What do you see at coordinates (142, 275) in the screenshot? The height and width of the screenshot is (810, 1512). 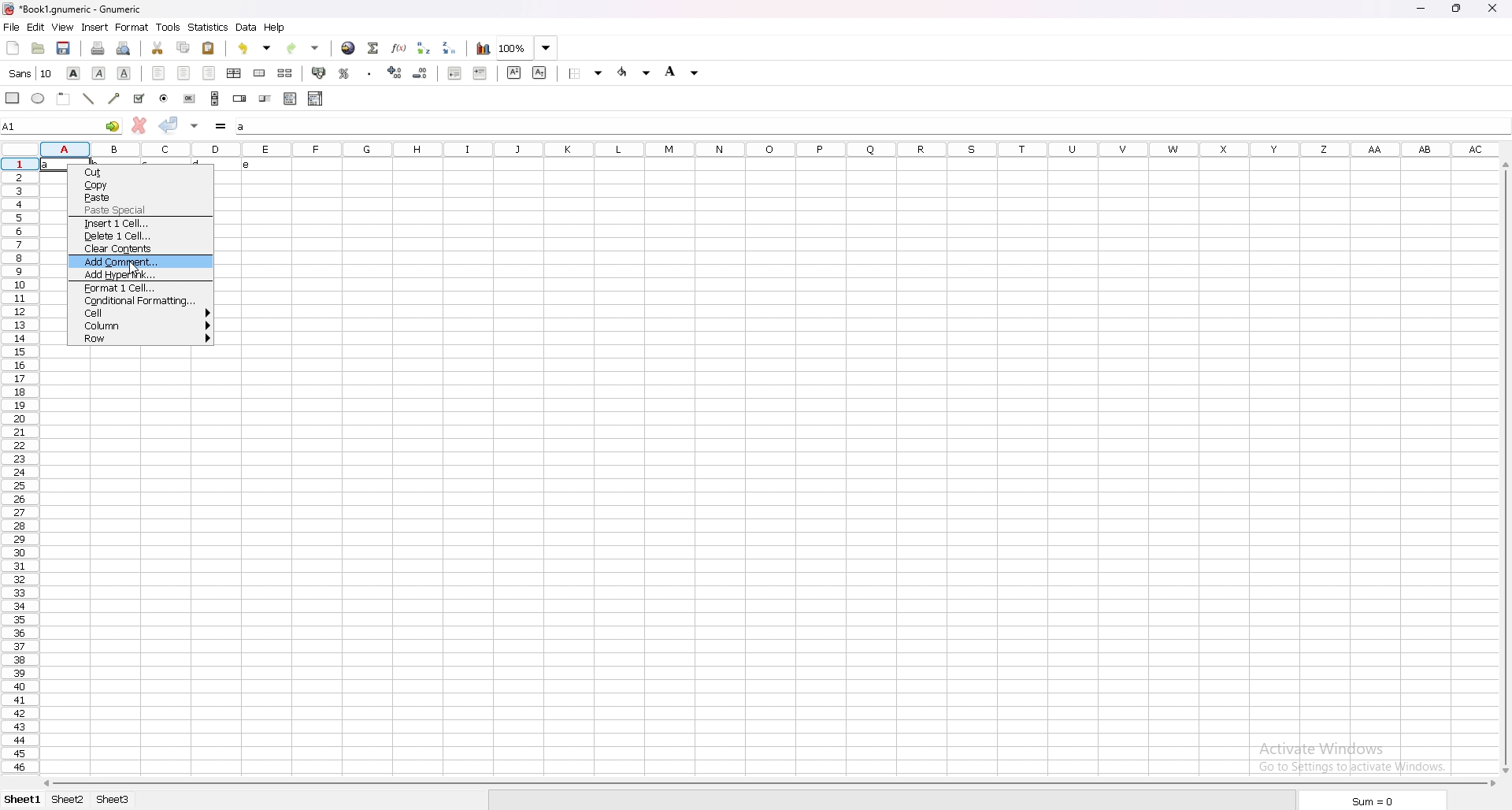 I see `add hyperlink` at bounding box center [142, 275].